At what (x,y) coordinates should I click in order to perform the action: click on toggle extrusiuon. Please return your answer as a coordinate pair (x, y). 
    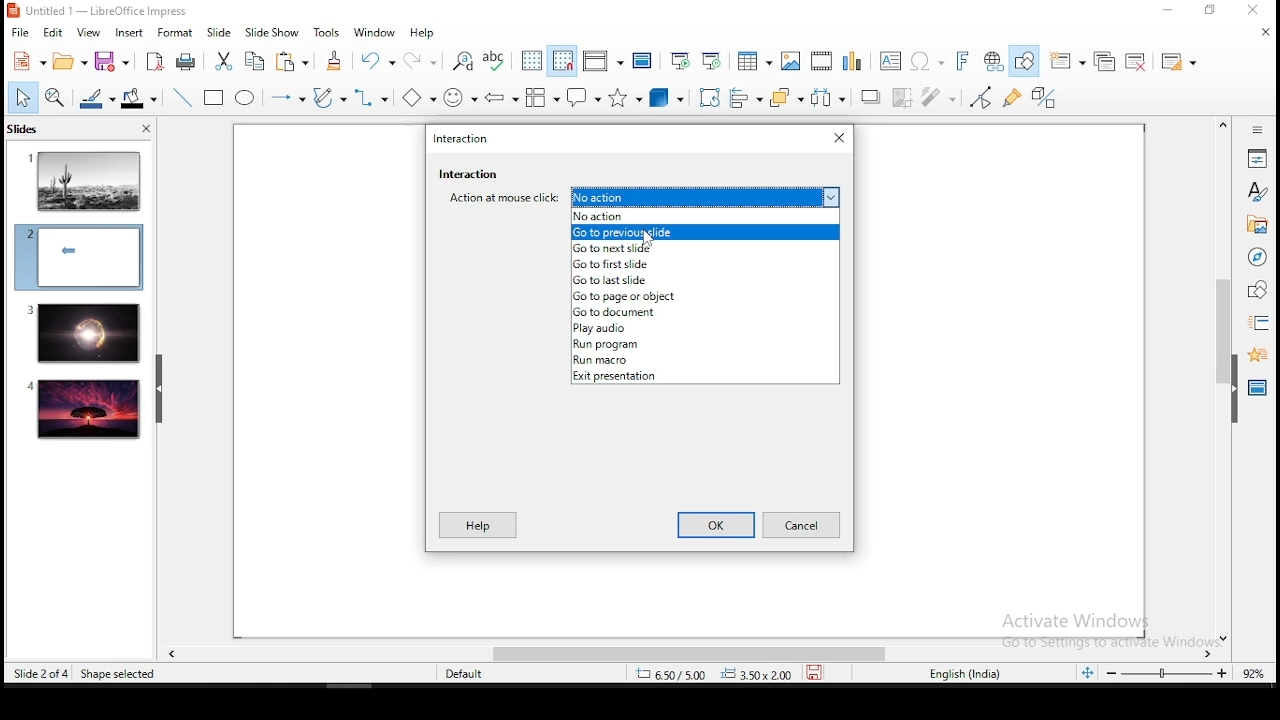
    Looking at the image, I should click on (1046, 97).